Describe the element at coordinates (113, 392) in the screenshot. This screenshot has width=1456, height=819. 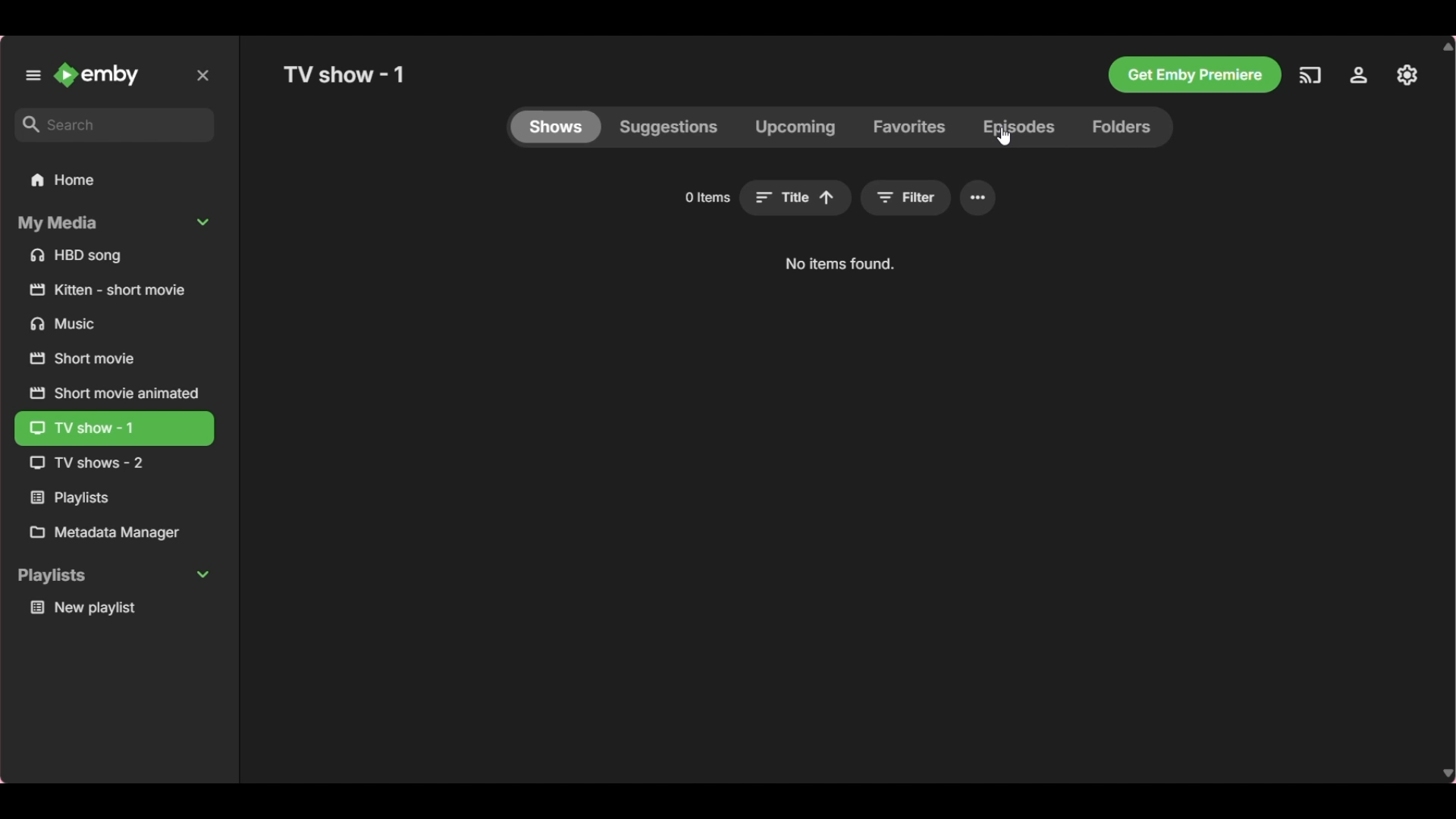
I see `Short film` at that location.